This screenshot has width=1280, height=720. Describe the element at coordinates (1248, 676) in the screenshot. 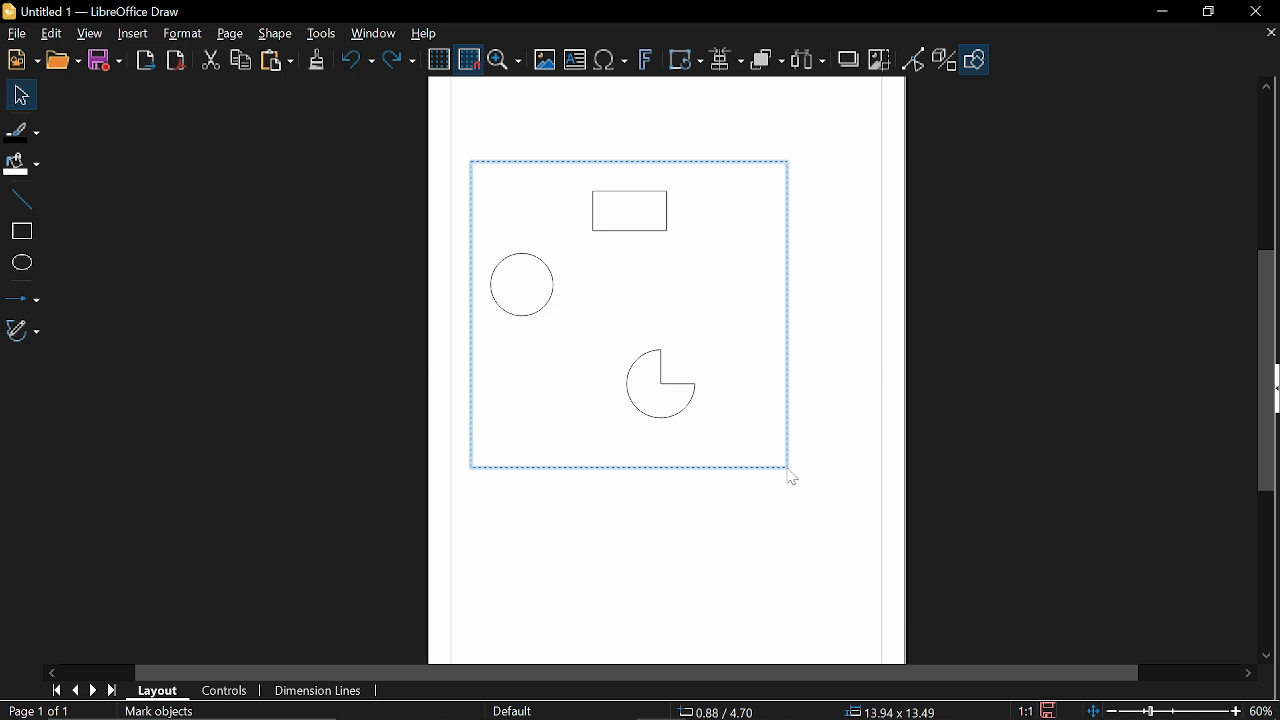

I see `Move right` at that location.